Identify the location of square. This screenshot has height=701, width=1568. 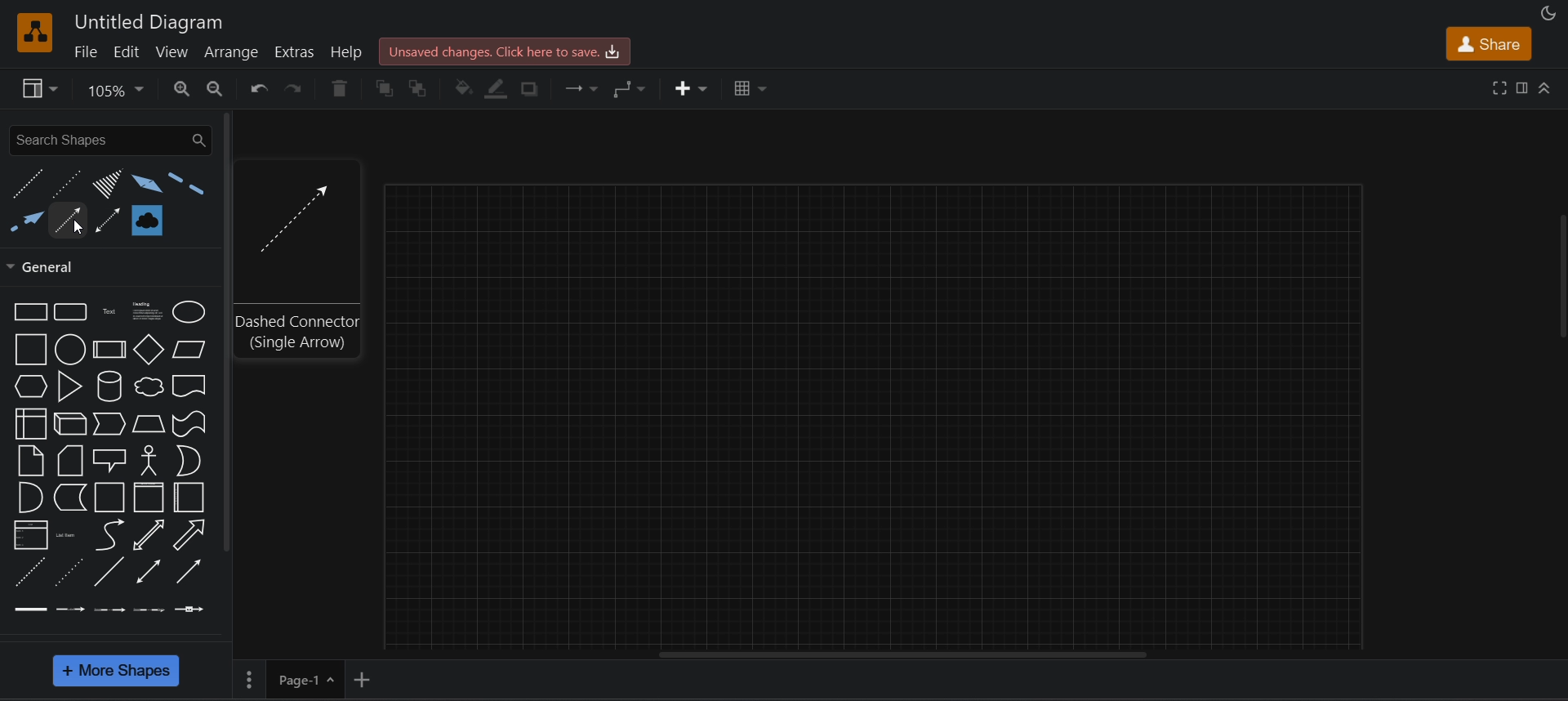
(30, 349).